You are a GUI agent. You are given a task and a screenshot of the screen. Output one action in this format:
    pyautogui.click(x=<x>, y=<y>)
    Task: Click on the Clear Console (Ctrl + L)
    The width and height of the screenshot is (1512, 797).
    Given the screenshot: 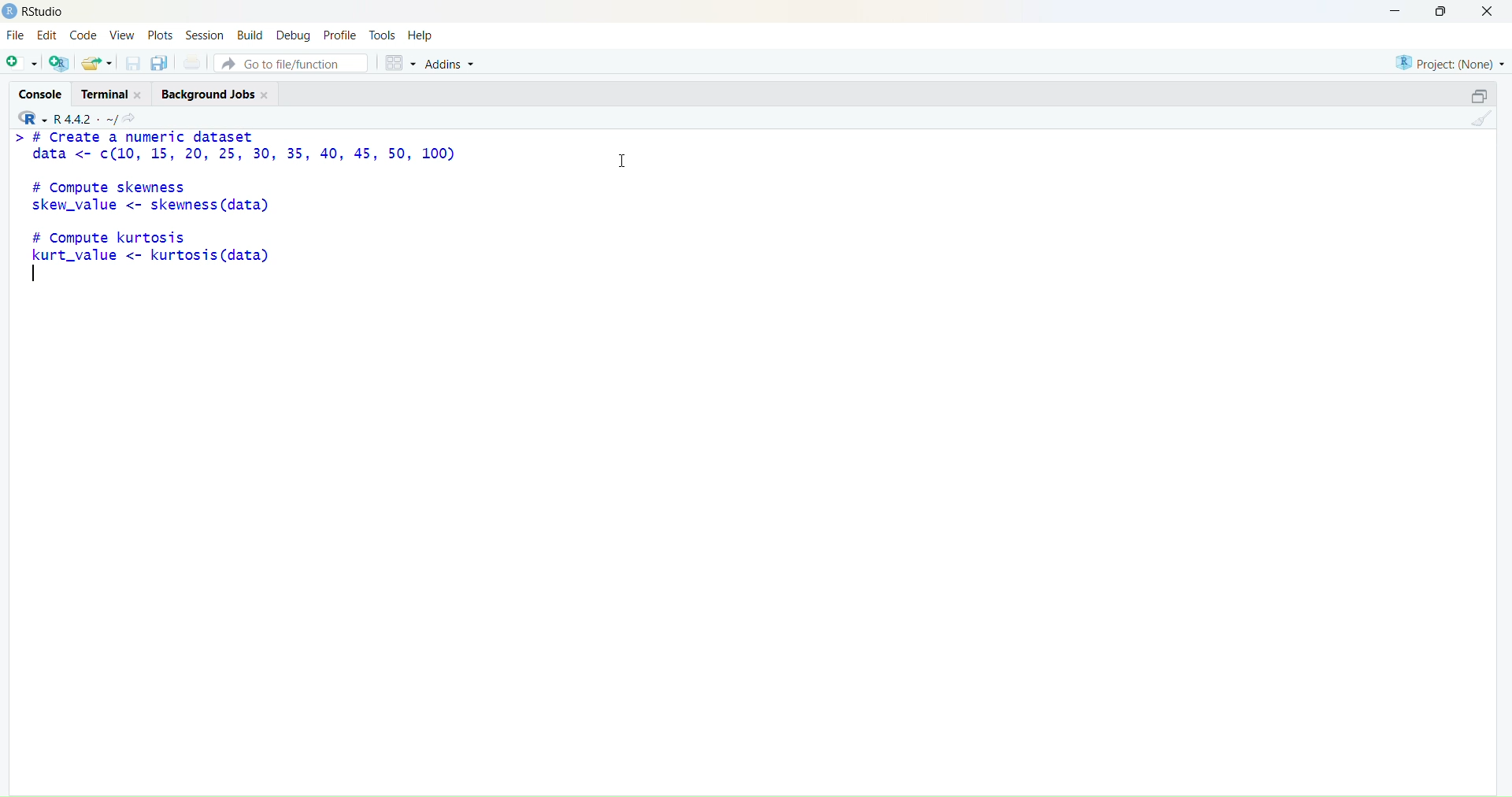 What is the action you would take?
    pyautogui.click(x=1478, y=124)
    